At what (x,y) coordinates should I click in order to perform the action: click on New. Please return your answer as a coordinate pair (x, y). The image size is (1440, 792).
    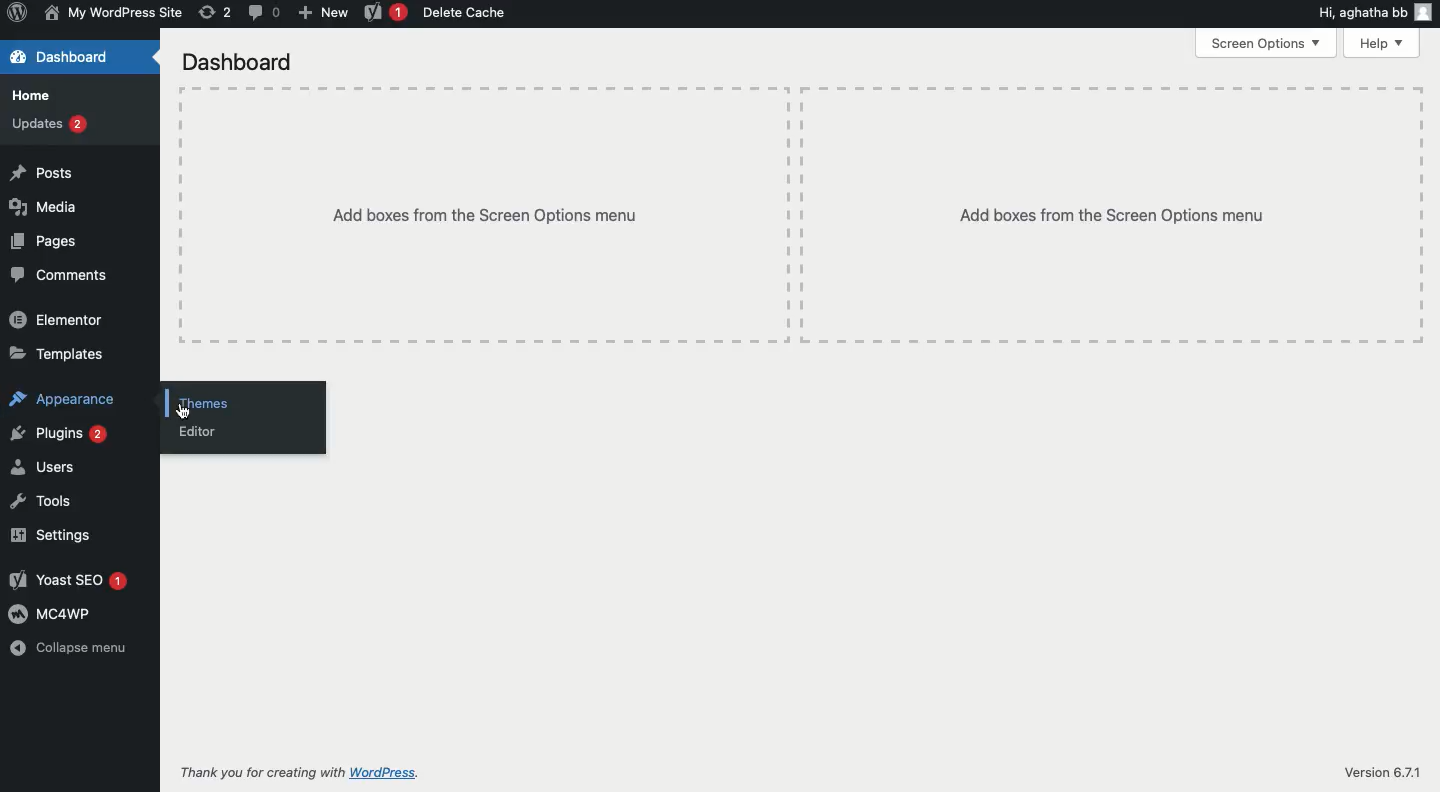
    Looking at the image, I should click on (323, 14).